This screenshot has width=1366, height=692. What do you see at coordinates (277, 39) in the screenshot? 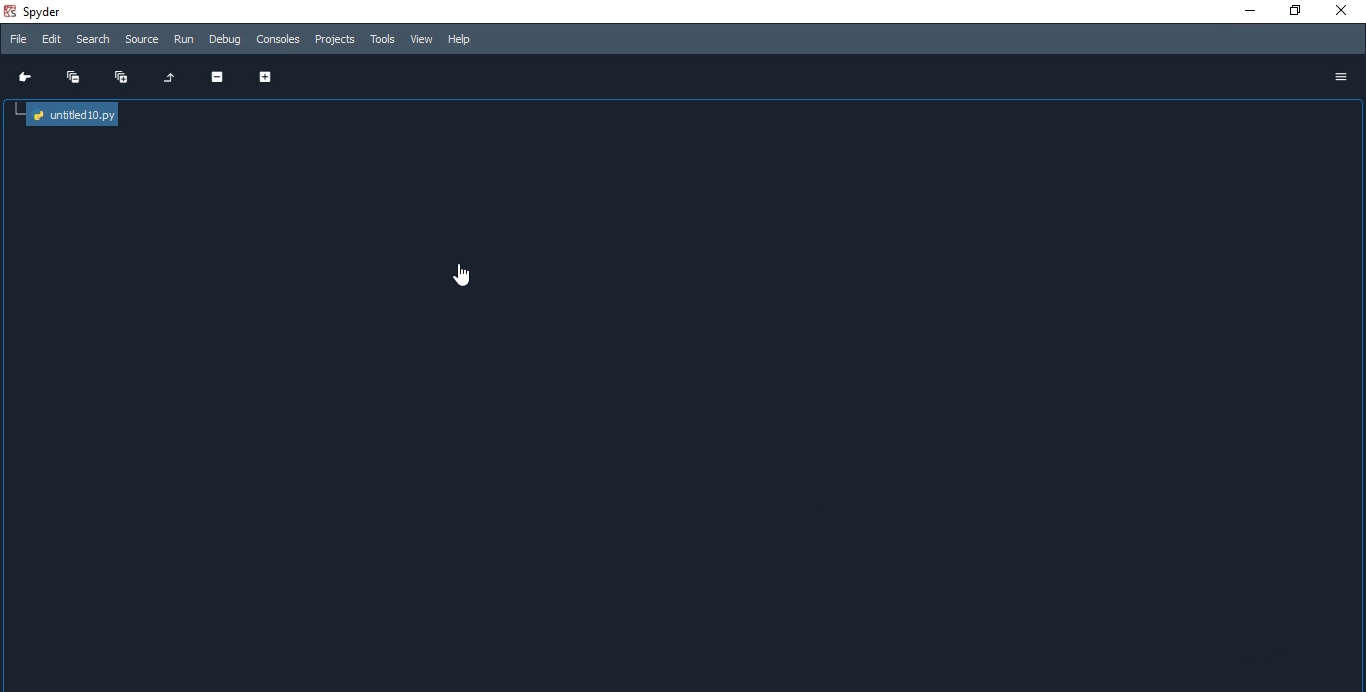
I see `Consoles` at bounding box center [277, 39].